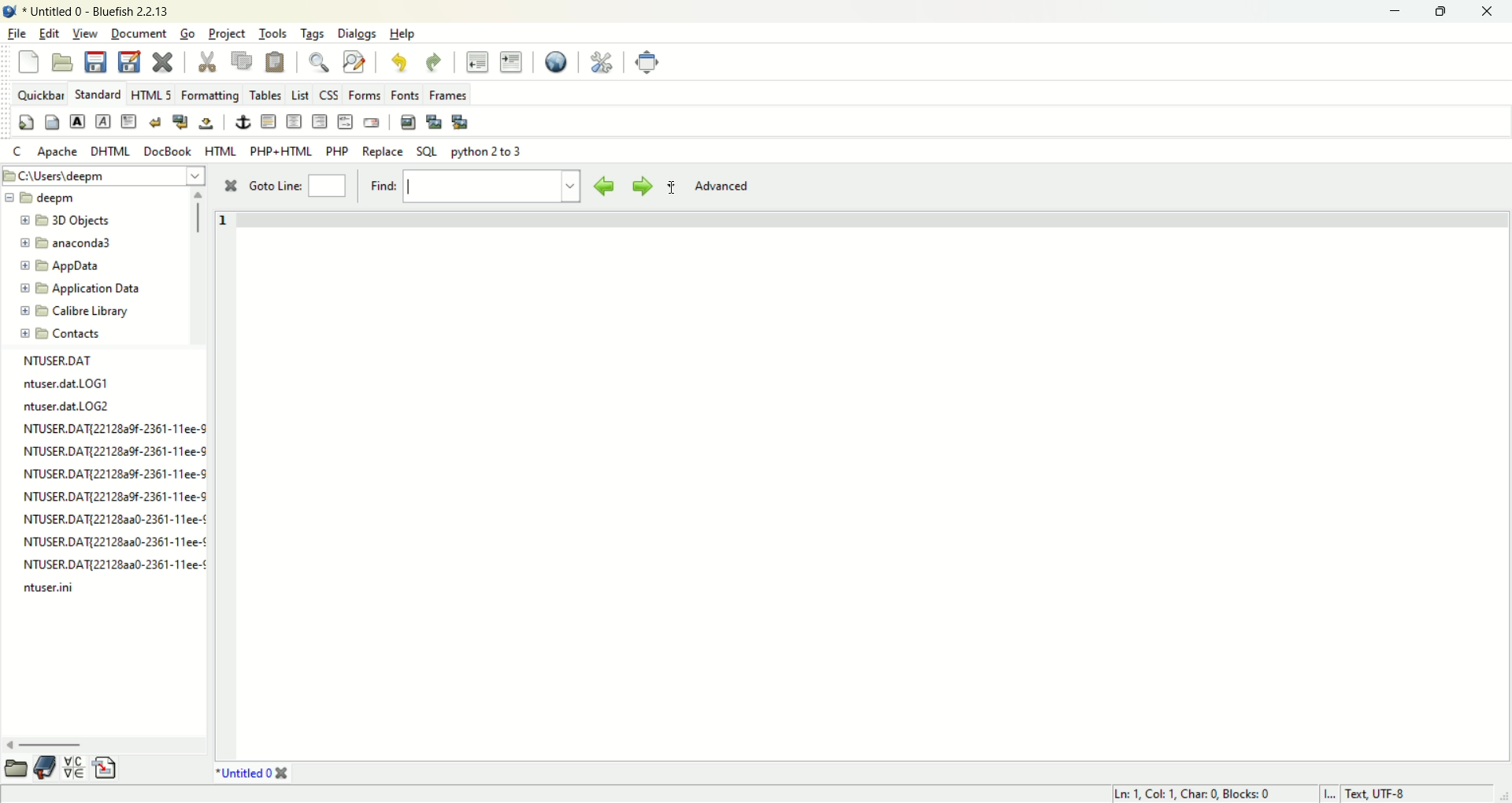  What do you see at coordinates (62, 62) in the screenshot?
I see `open` at bounding box center [62, 62].